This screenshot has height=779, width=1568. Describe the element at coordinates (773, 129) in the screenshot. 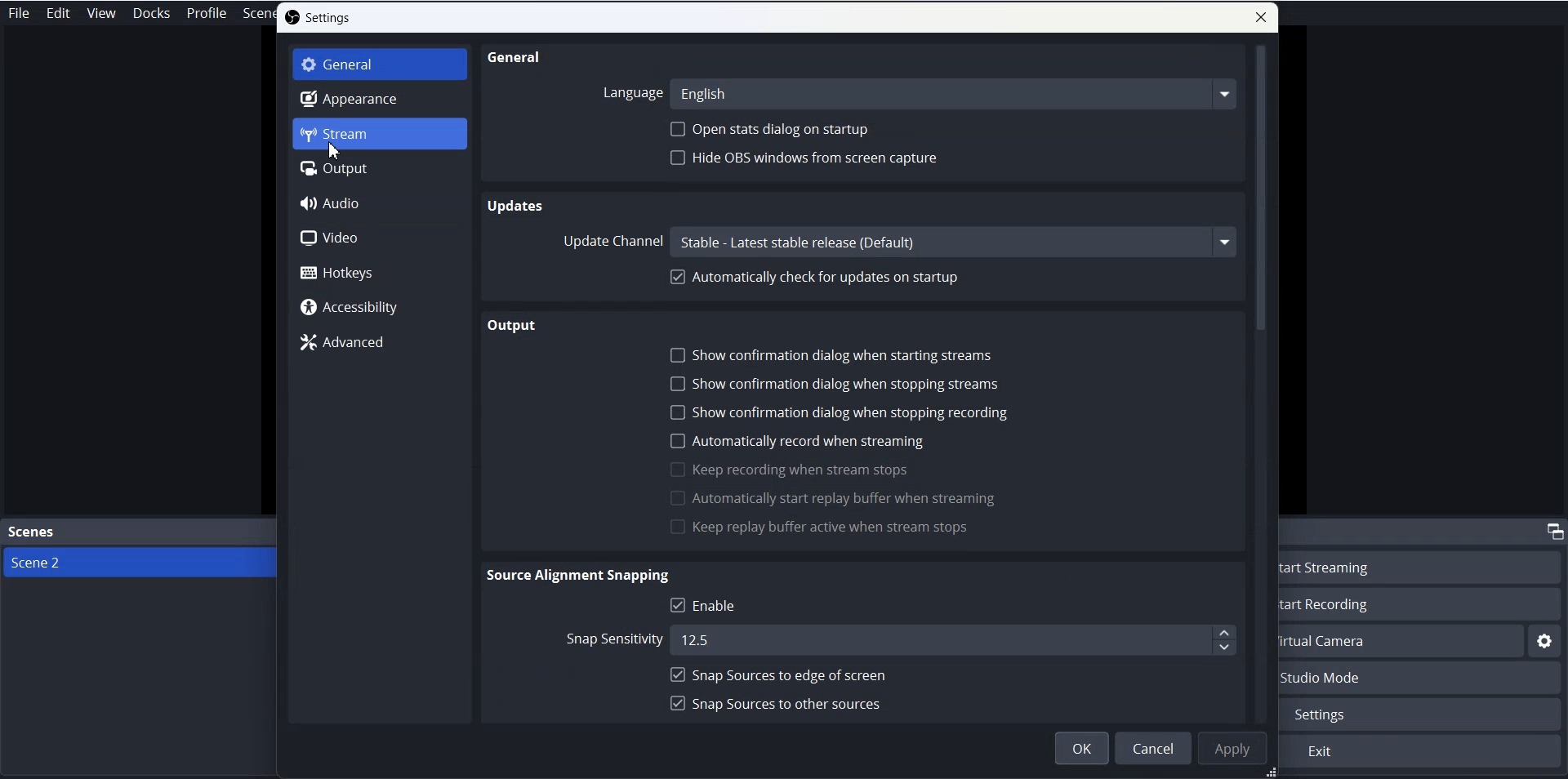

I see `Open stats dialogue on startup` at that location.